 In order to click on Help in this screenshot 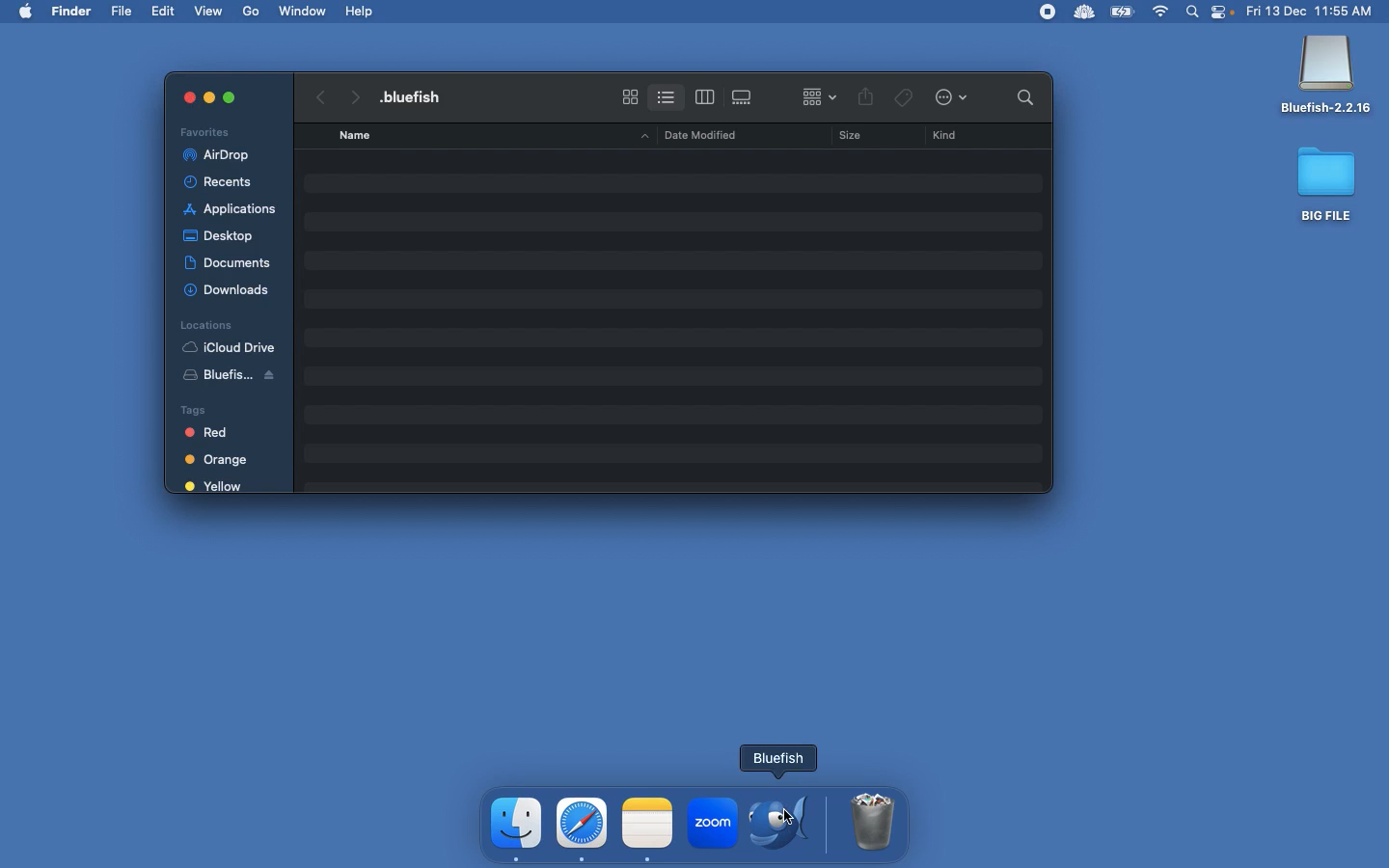, I will do `click(361, 11)`.